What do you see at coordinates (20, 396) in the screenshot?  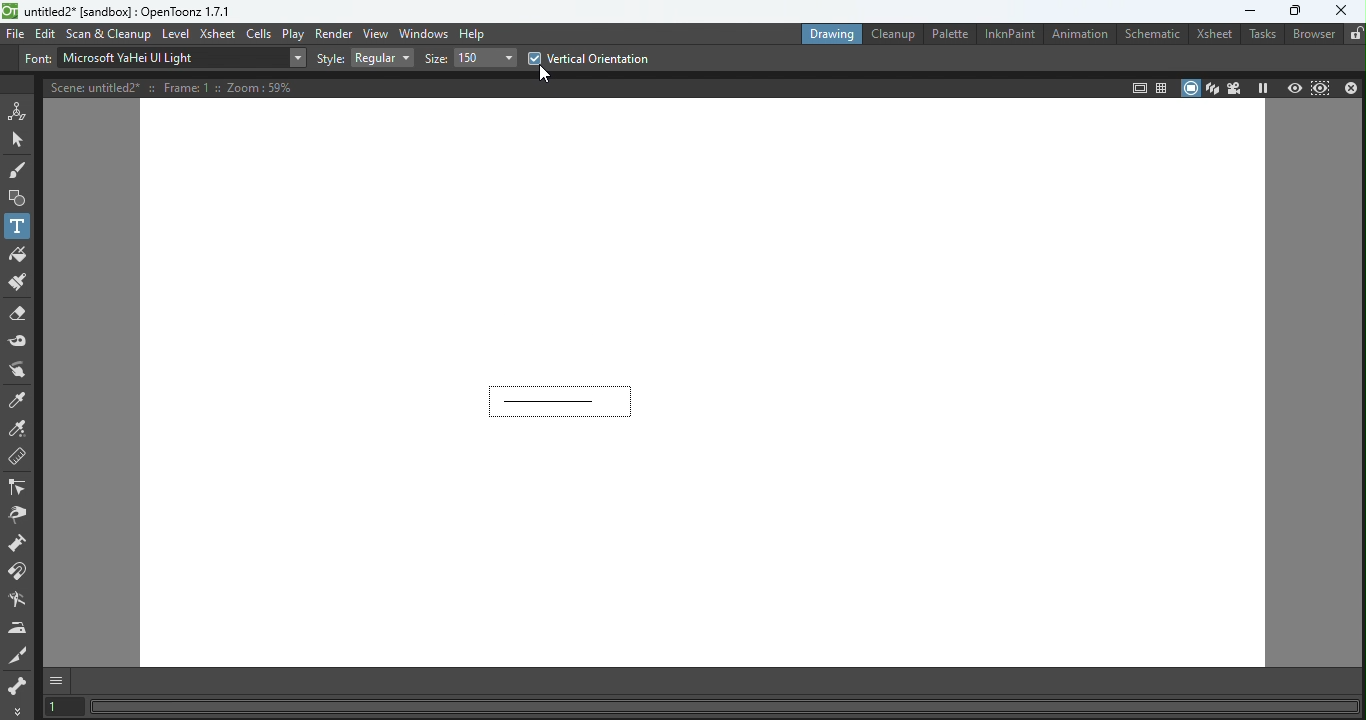 I see `Style picker tool` at bounding box center [20, 396].